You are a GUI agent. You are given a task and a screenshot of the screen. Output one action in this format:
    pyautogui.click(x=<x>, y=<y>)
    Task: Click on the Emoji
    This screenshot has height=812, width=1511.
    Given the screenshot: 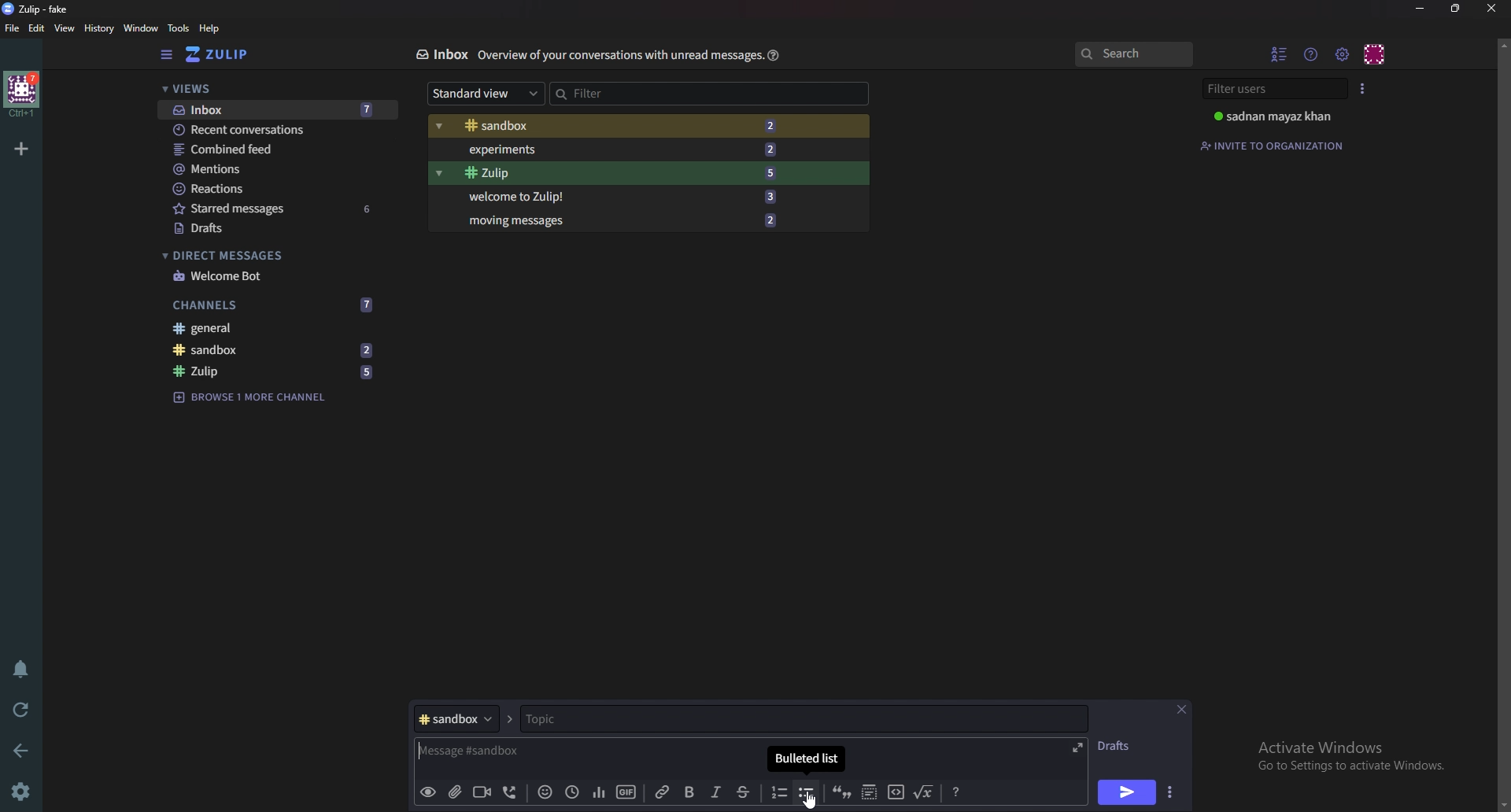 What is the action you would take?
    pyautogui.click(x=545, y=791)
    